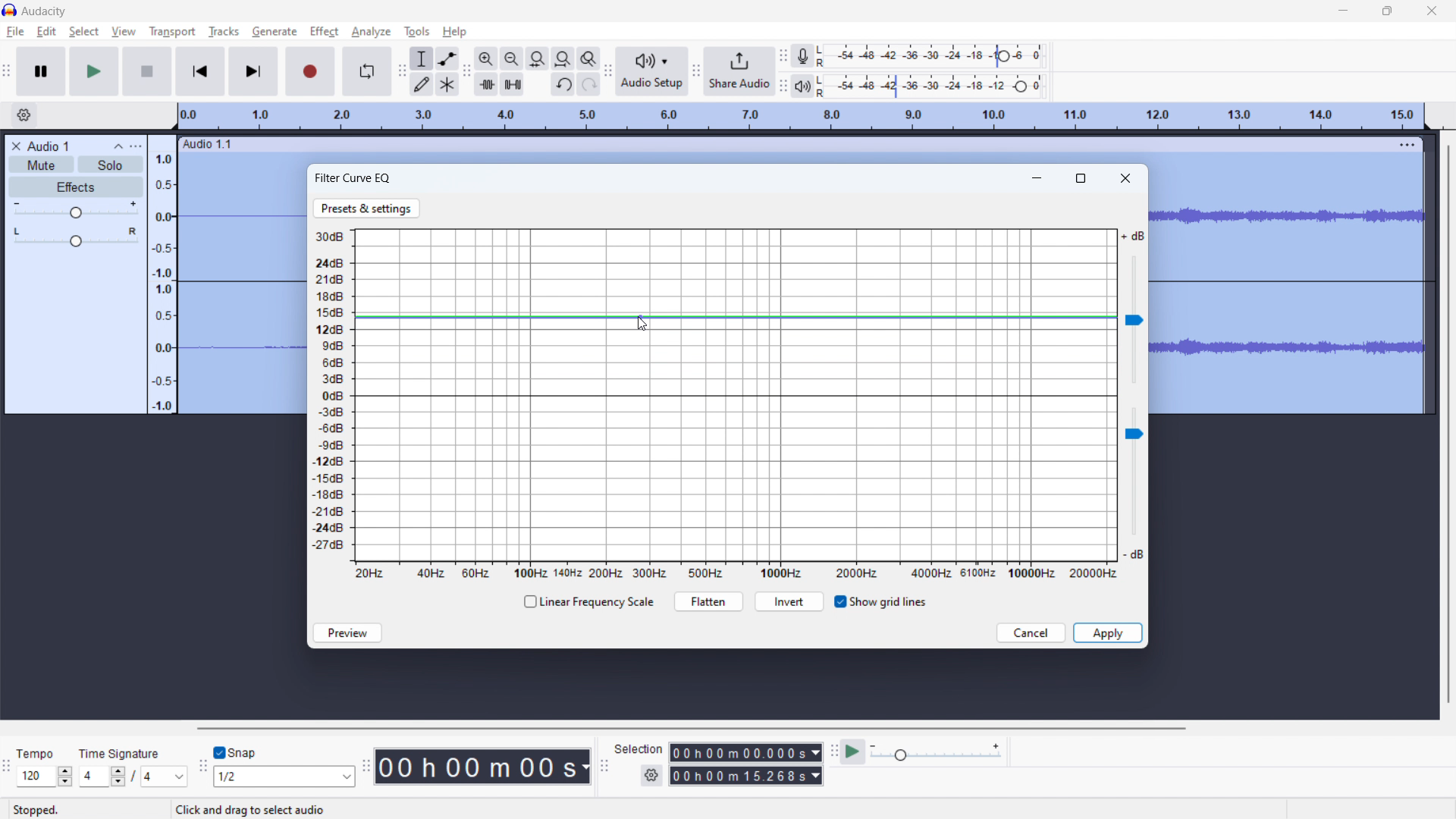  Describe the element at coordinates (41, 164) in the screenshot. I see `mute` at that location.